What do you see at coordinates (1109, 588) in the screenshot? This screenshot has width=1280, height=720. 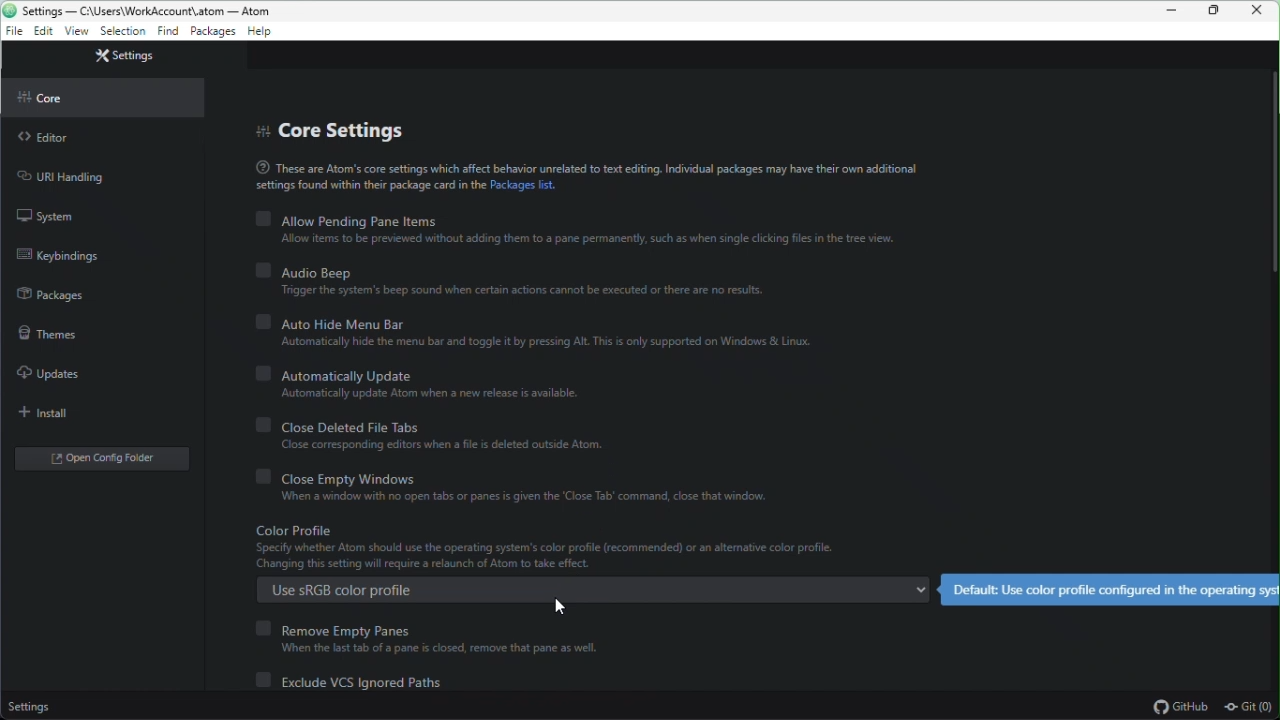 I see `Default settings` at bounding box center [1109, 588].